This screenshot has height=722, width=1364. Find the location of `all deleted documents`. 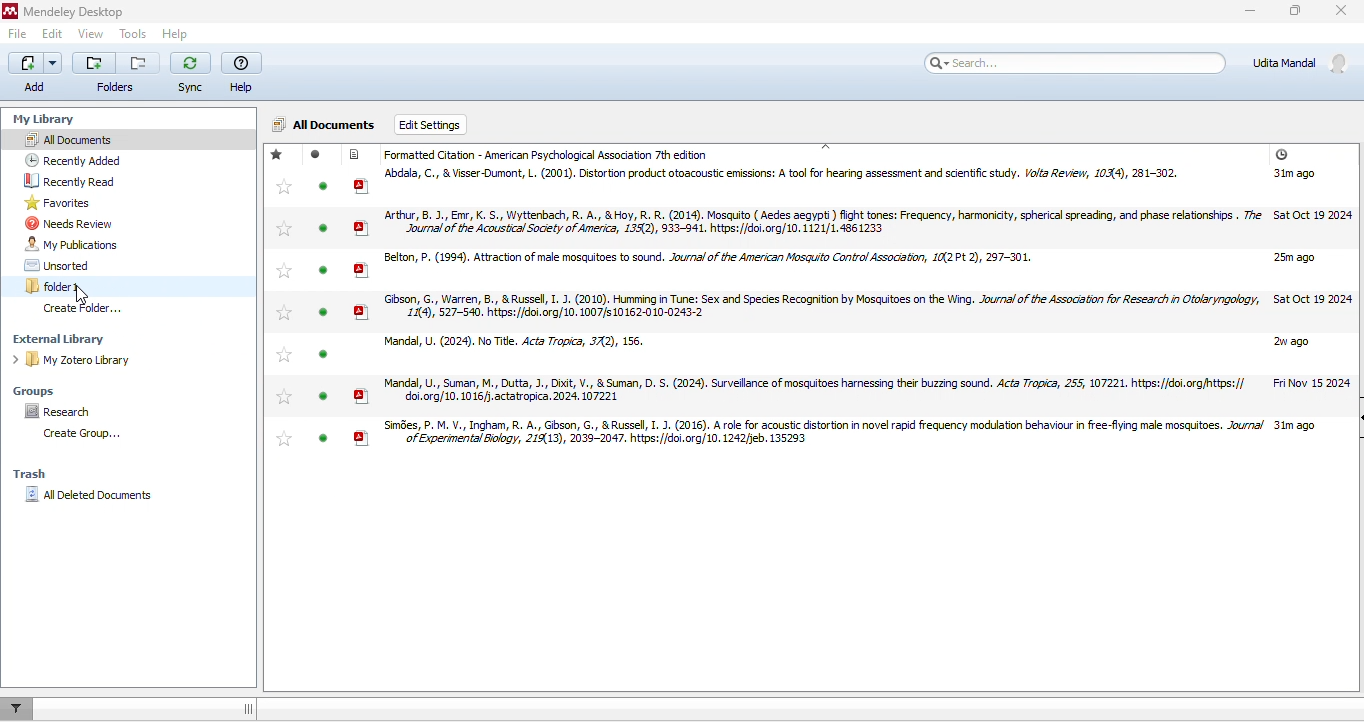

all deleted documents is located at coordinates (90, 496).